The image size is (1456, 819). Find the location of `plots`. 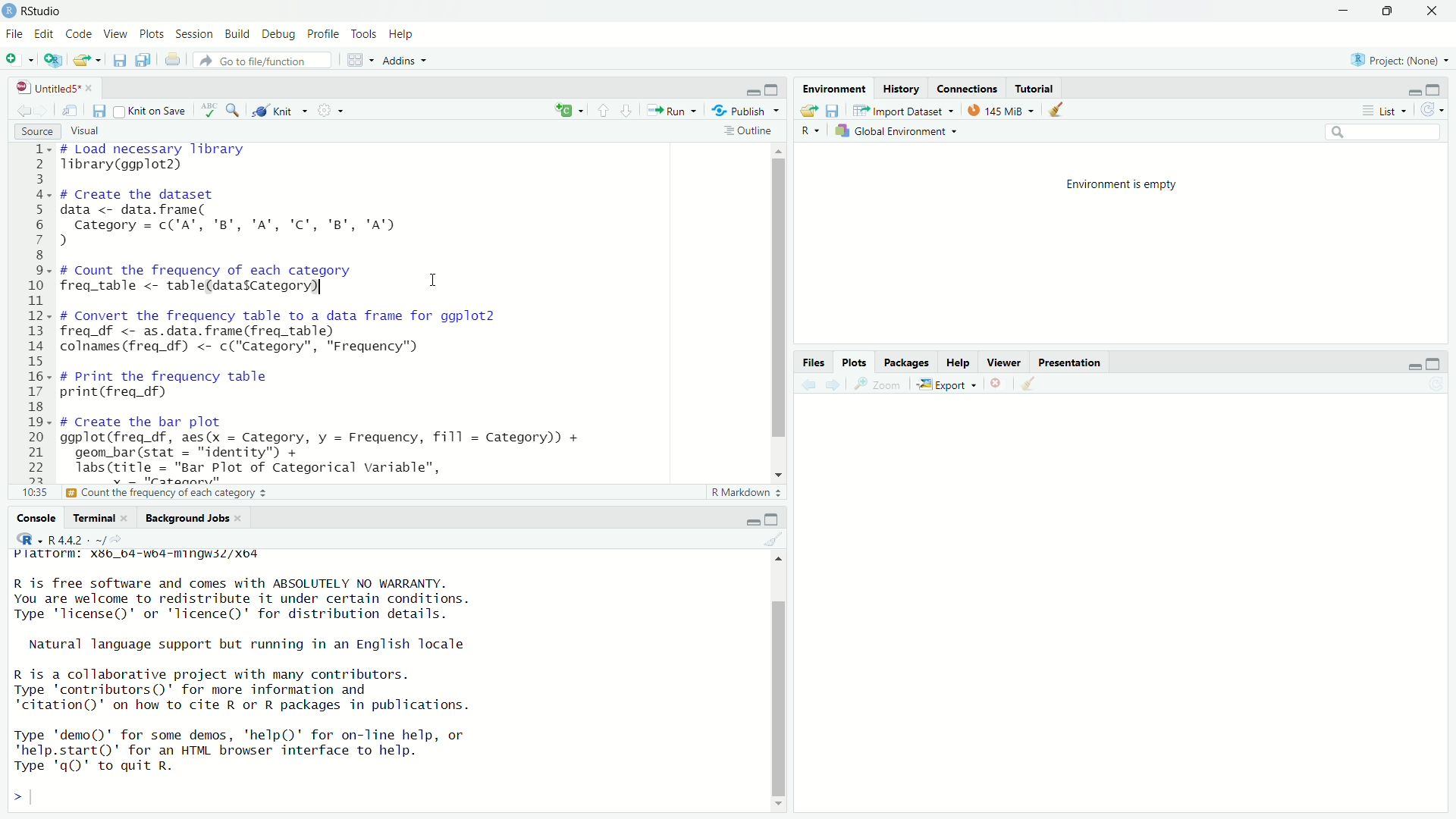

plots is located at coordinates (855, 362).